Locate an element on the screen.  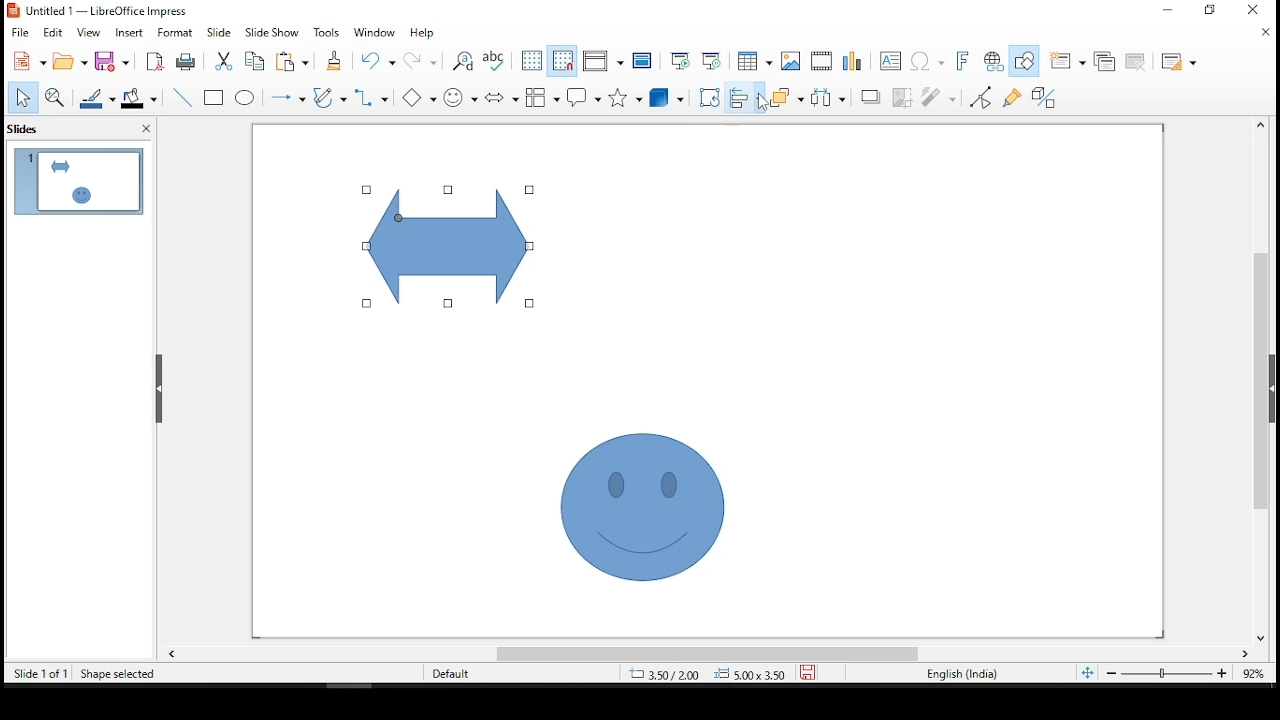
spell check is located at coordinates (494, 63).